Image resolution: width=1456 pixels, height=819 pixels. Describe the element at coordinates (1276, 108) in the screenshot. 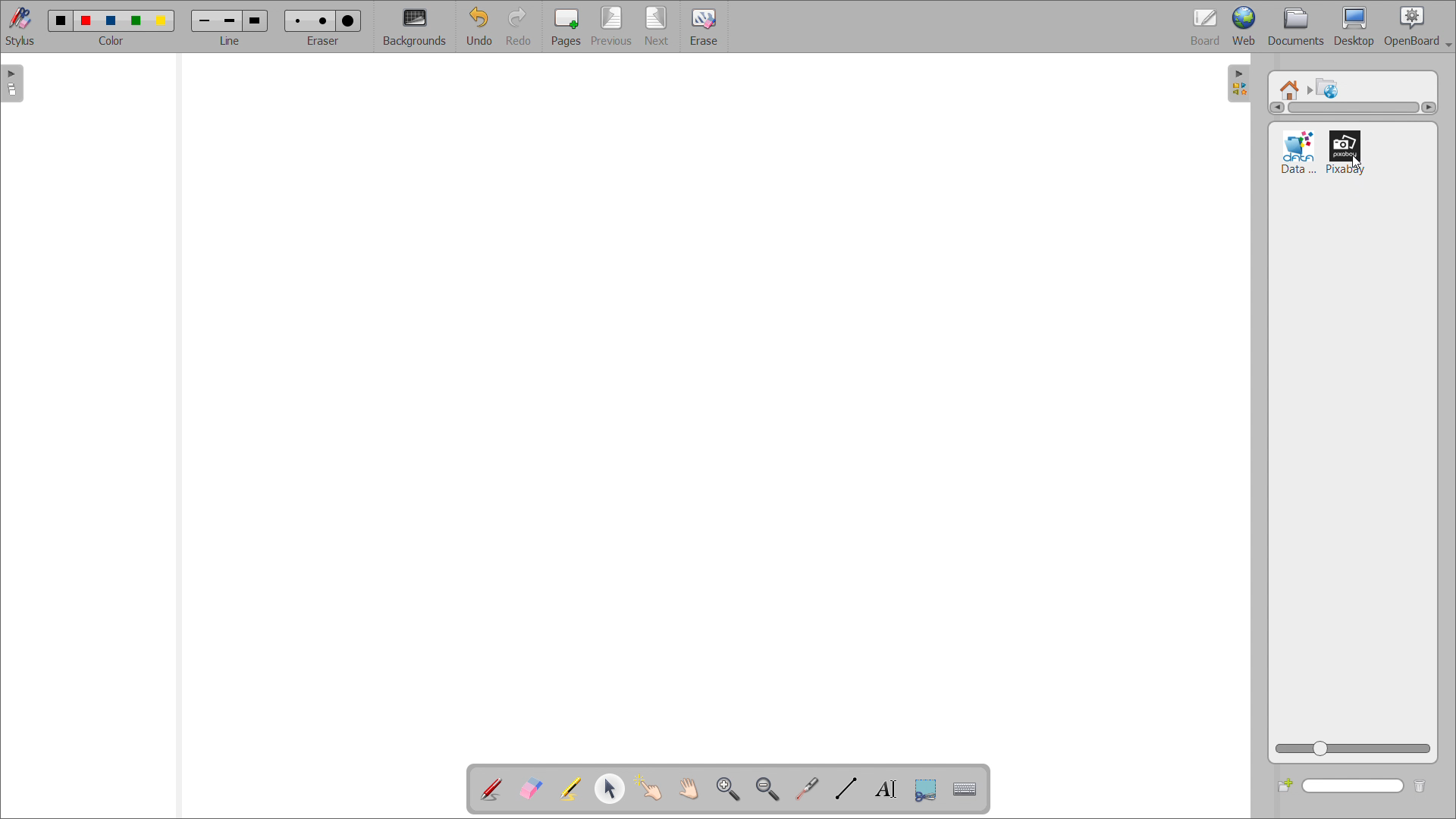

I see `scroll left` at that location.